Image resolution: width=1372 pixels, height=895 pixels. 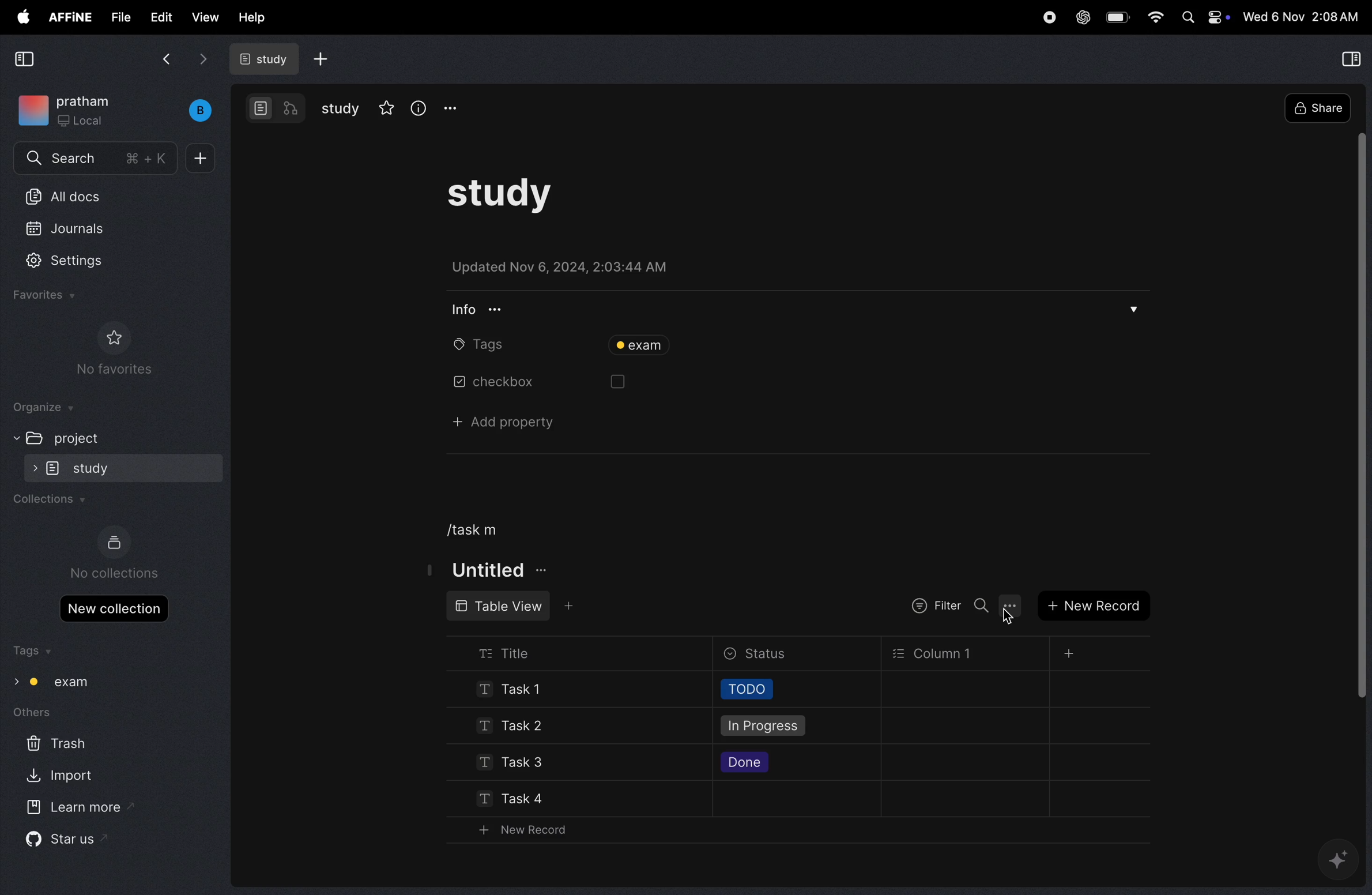 I want to click on coloumn 1, so click(x=932, y=653).